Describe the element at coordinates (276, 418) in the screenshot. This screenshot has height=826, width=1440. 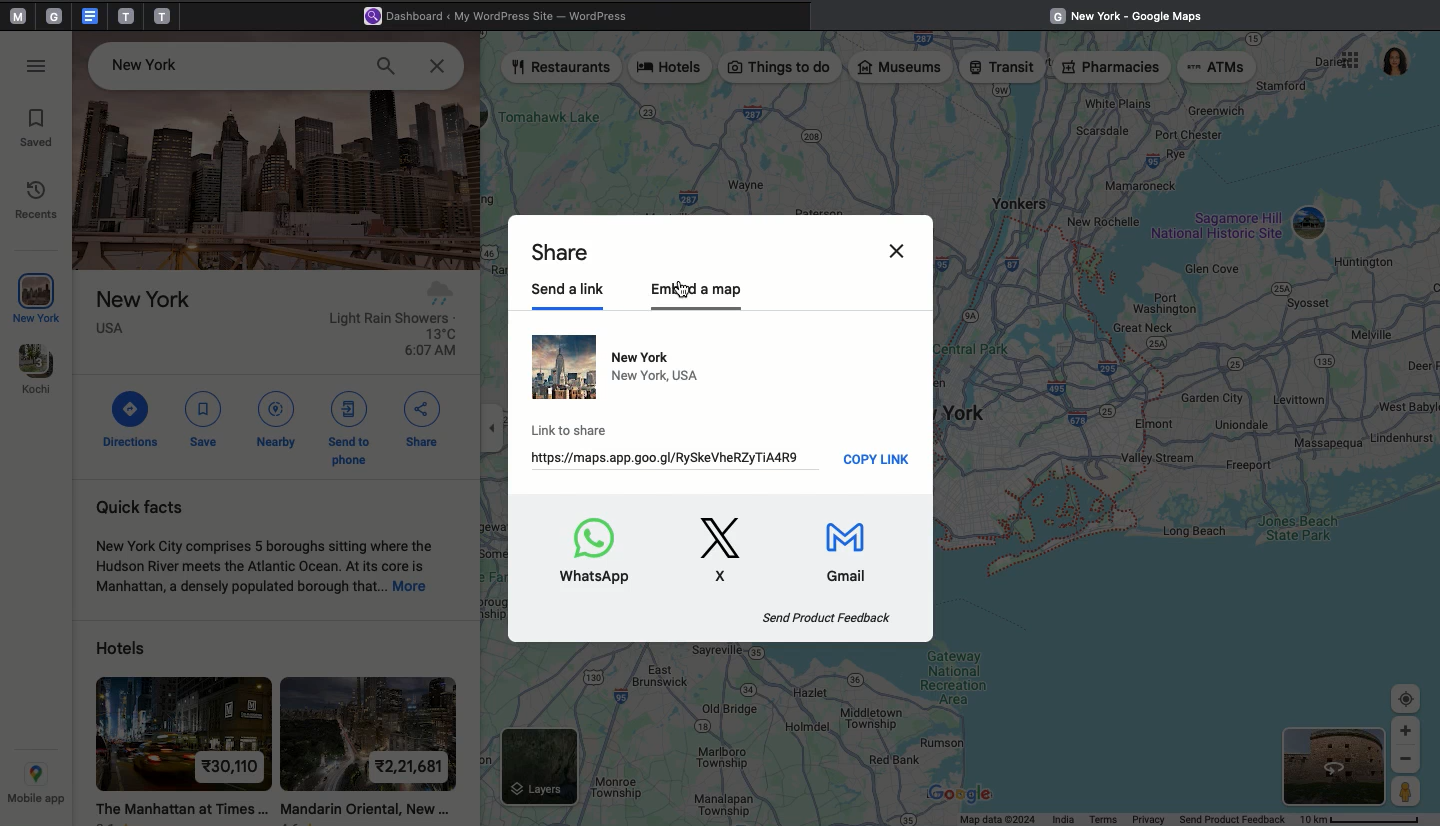
I see `Nearby` at that location.